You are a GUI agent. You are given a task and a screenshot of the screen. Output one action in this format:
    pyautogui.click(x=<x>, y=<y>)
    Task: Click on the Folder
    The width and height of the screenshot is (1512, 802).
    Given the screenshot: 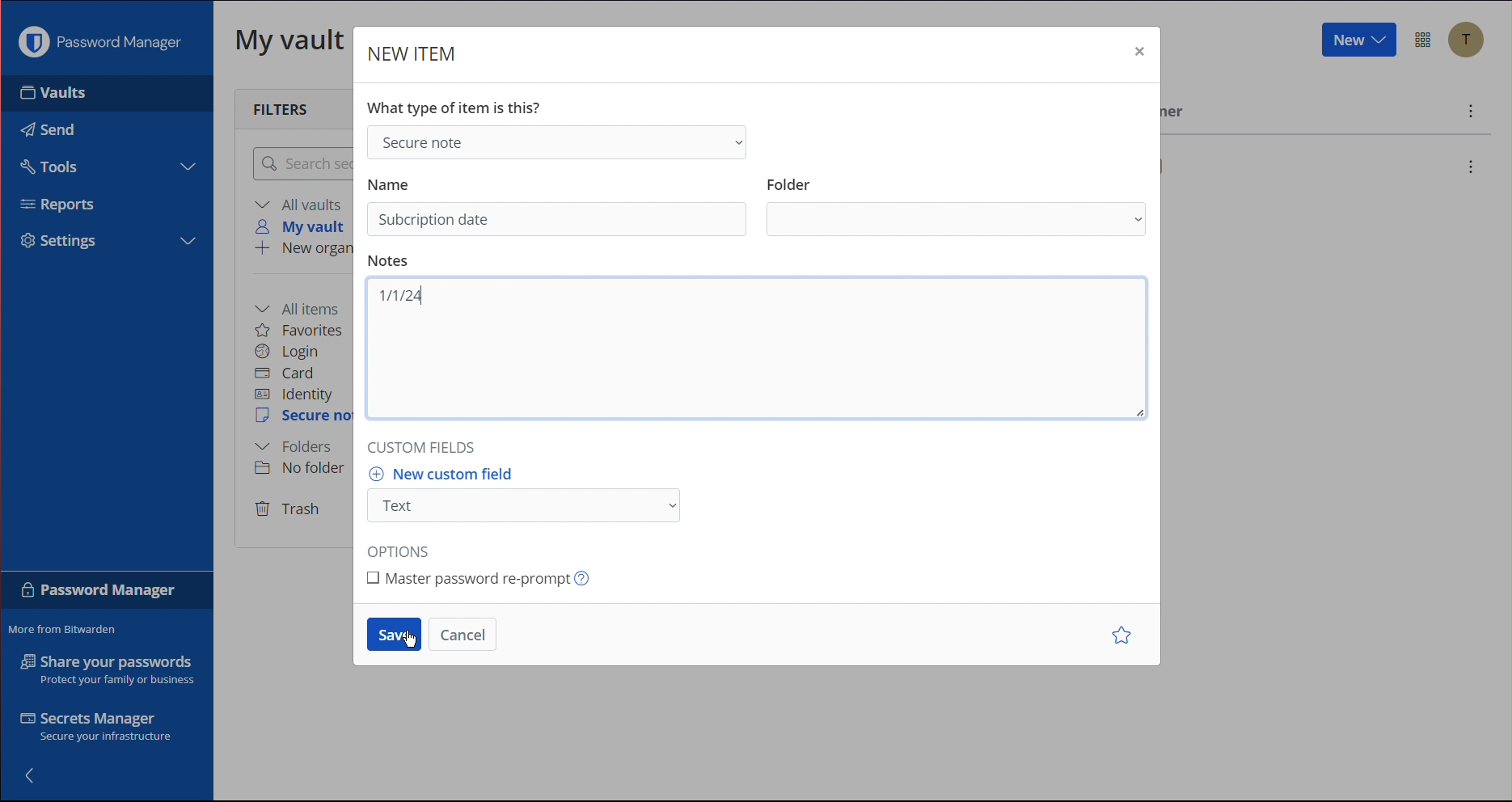 What is the action you would take?
    pyautogui.click(x=959, y=221)
    